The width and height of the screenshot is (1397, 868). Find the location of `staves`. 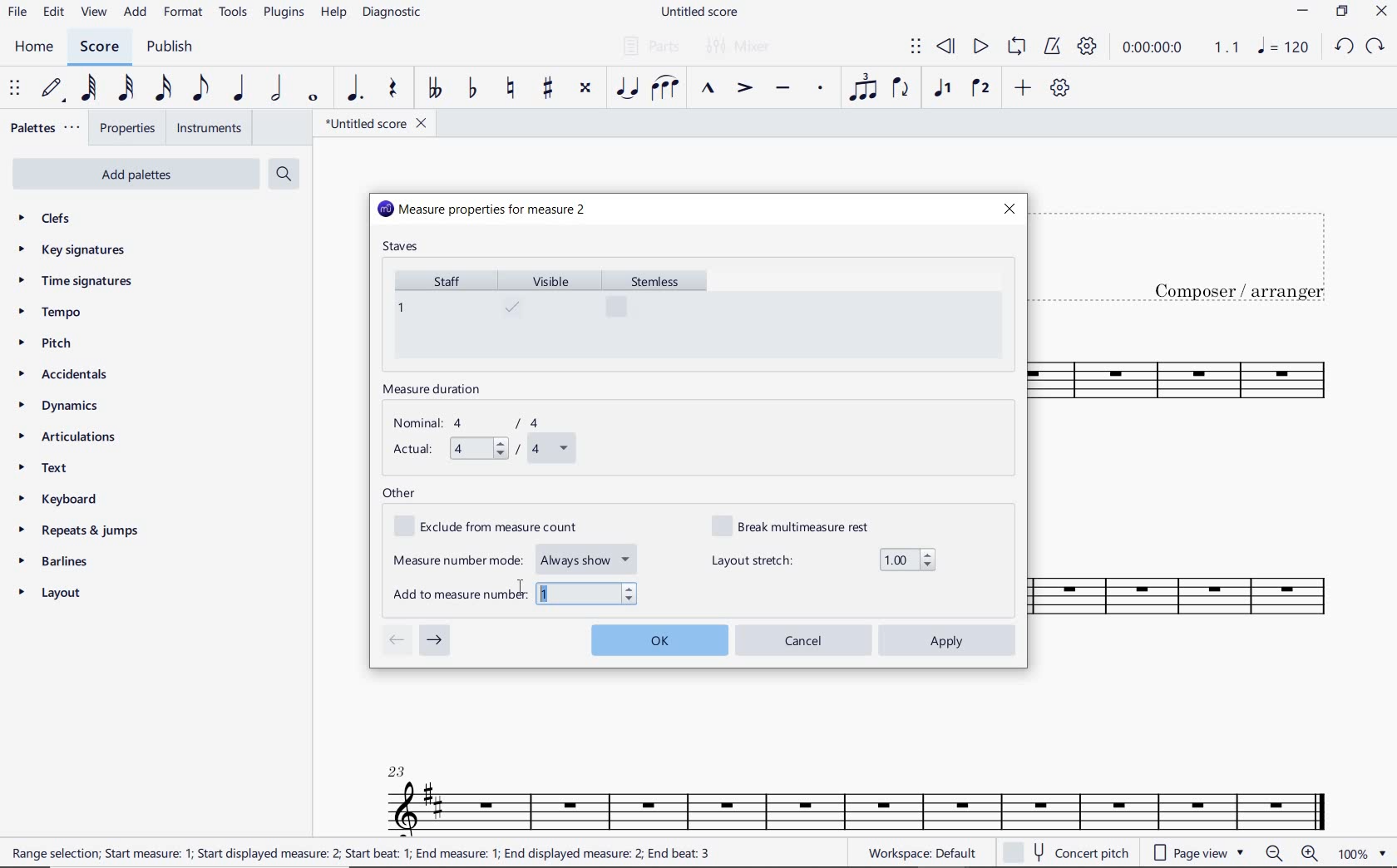

staves is located at coordinates (402, 248).